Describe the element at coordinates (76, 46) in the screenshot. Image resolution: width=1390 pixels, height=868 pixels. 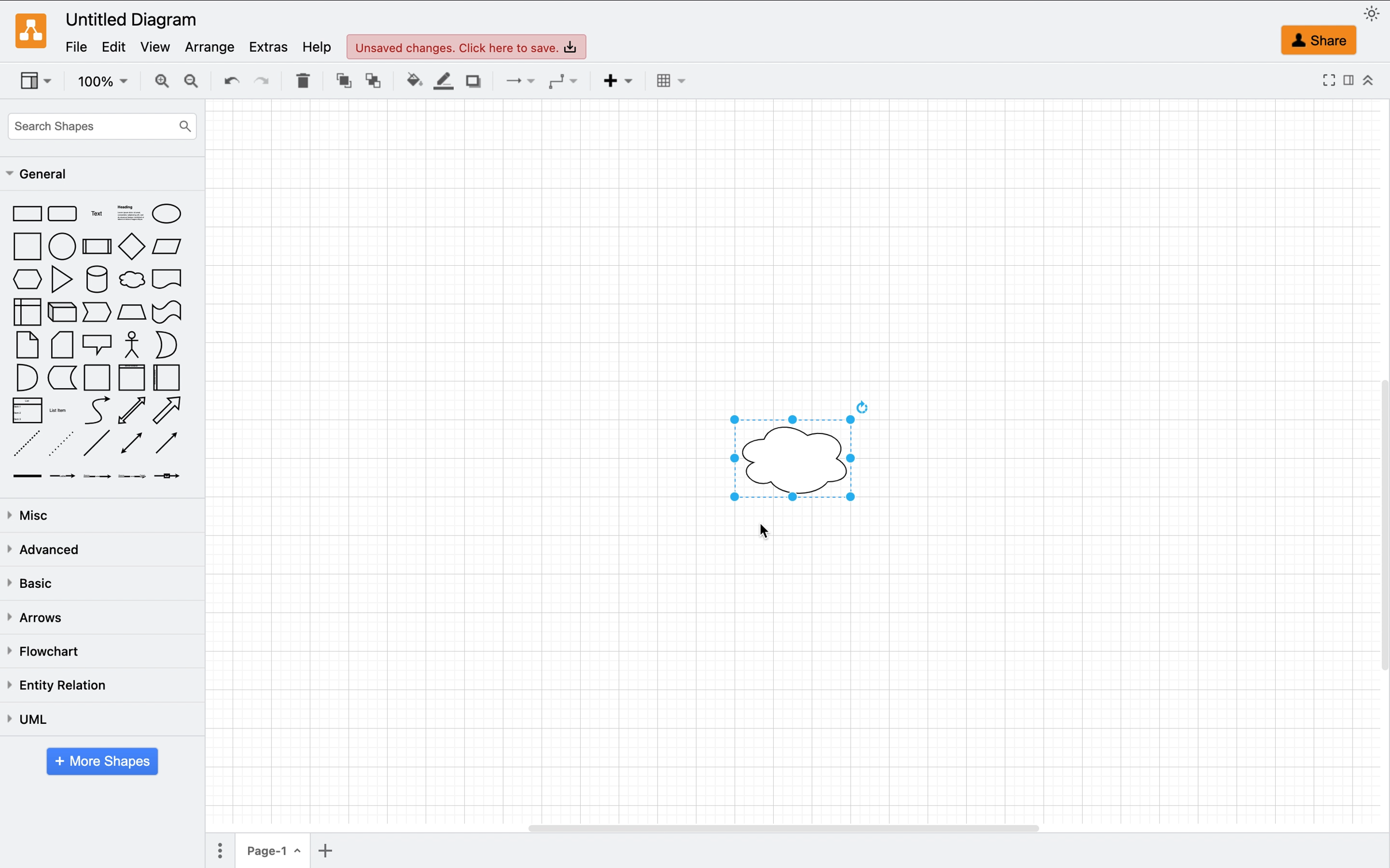
I see `file` at that location.